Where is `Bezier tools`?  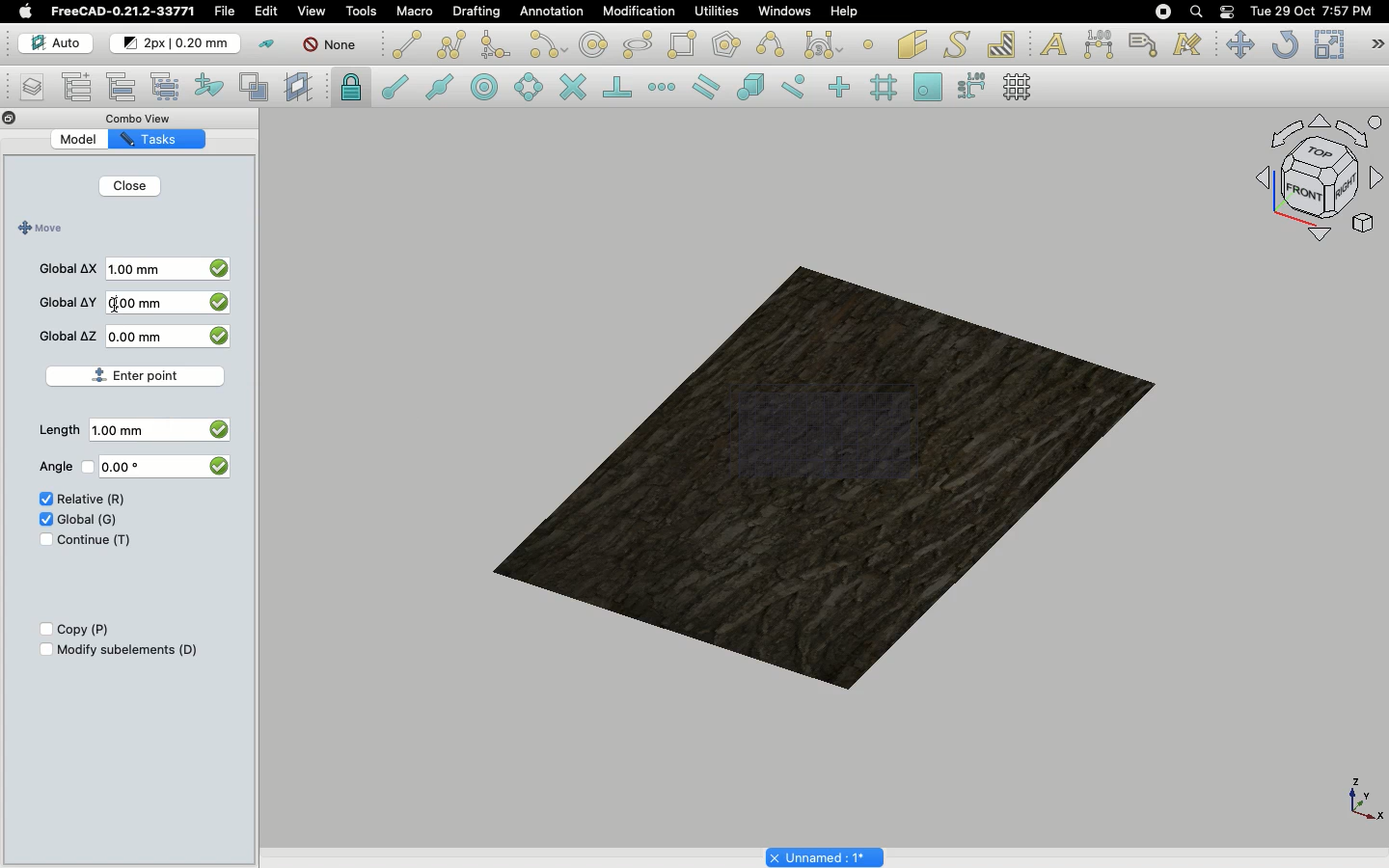
Bezier tools is located at coordinates (826, 44).